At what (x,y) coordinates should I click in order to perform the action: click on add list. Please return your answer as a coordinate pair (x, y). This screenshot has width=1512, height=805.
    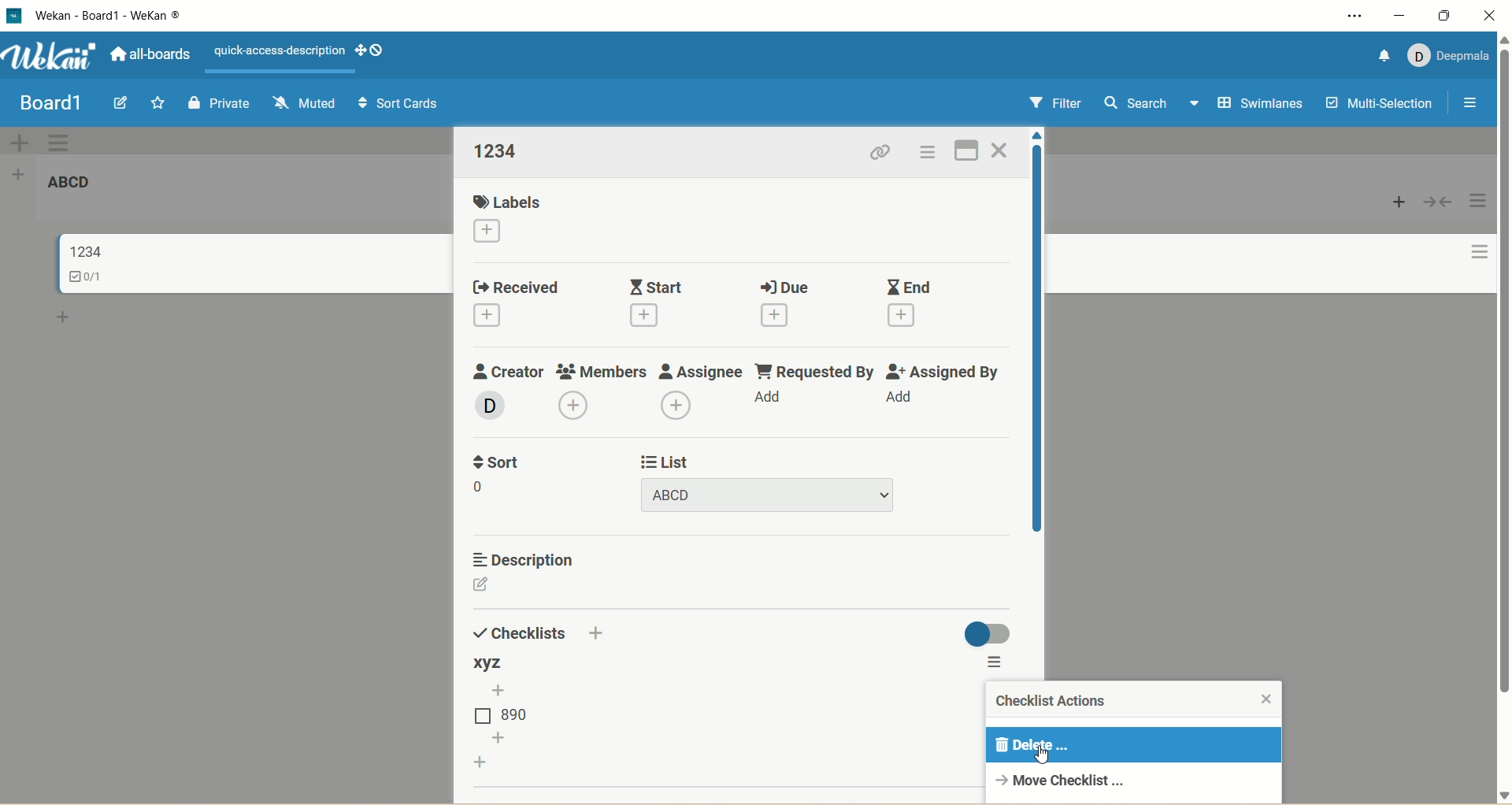
    Looking at the image, I should click on (20, 176).